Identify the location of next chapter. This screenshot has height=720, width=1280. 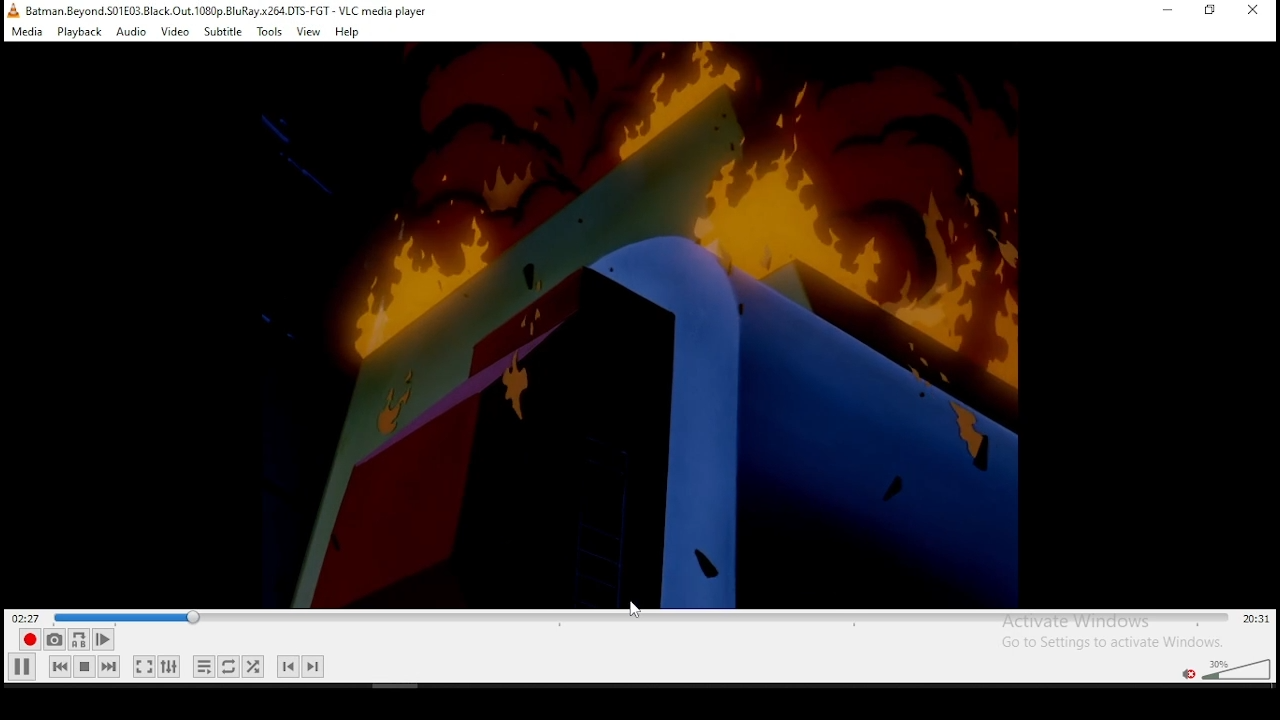
(313, 666).